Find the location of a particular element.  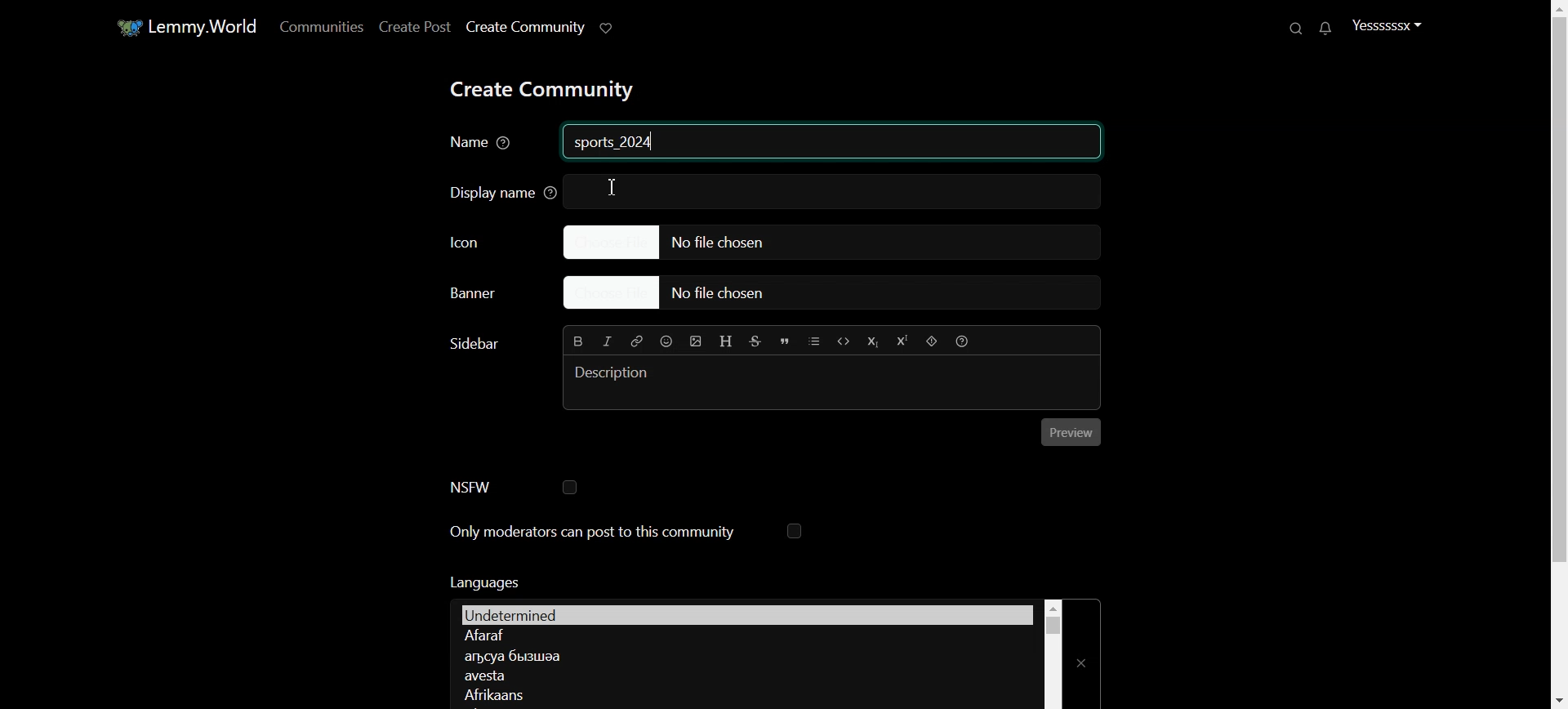

Text is located at coordinates (483, 582).